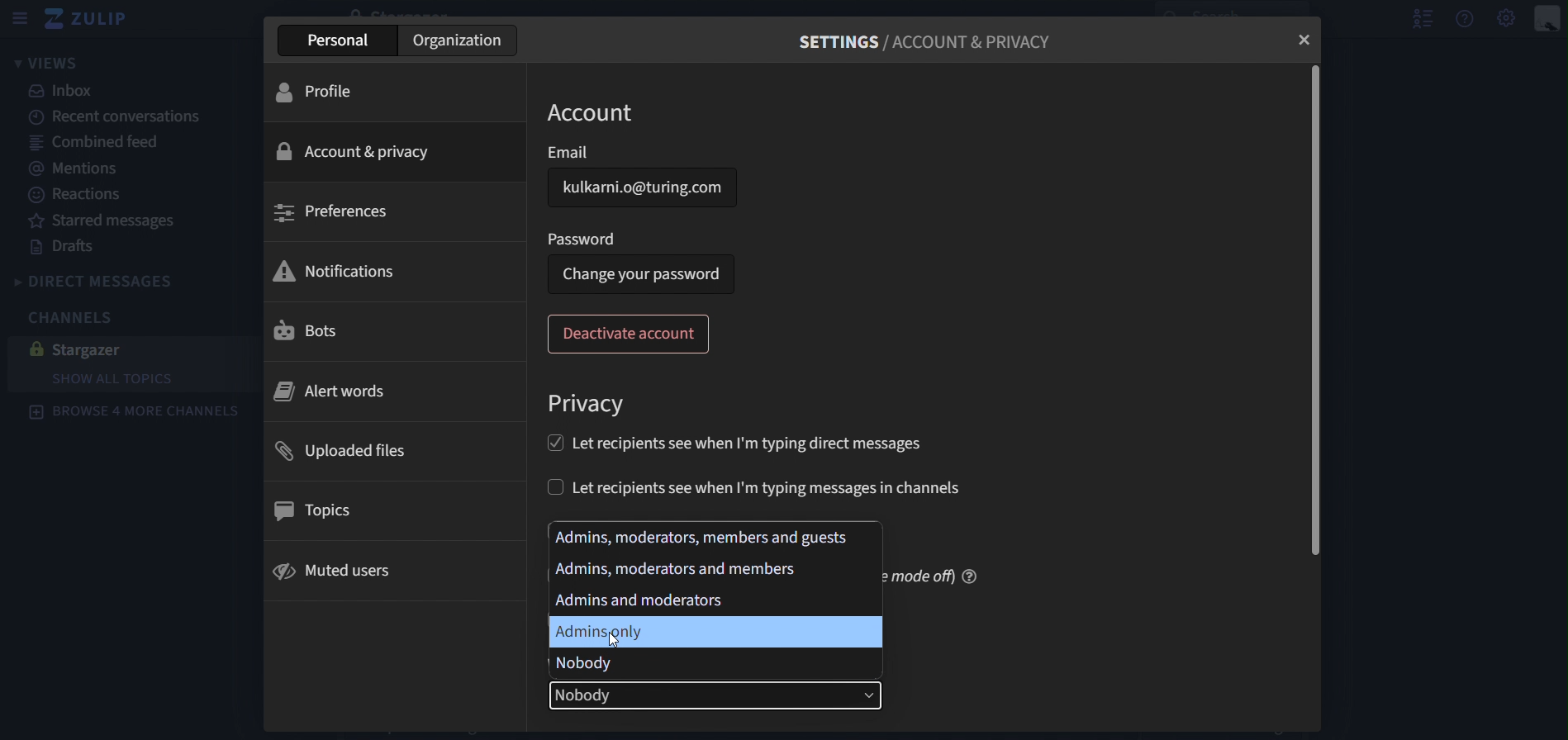  Describe the element at coordinates (653, 600) in the screenshot. I see `admins and moderators` at that location.